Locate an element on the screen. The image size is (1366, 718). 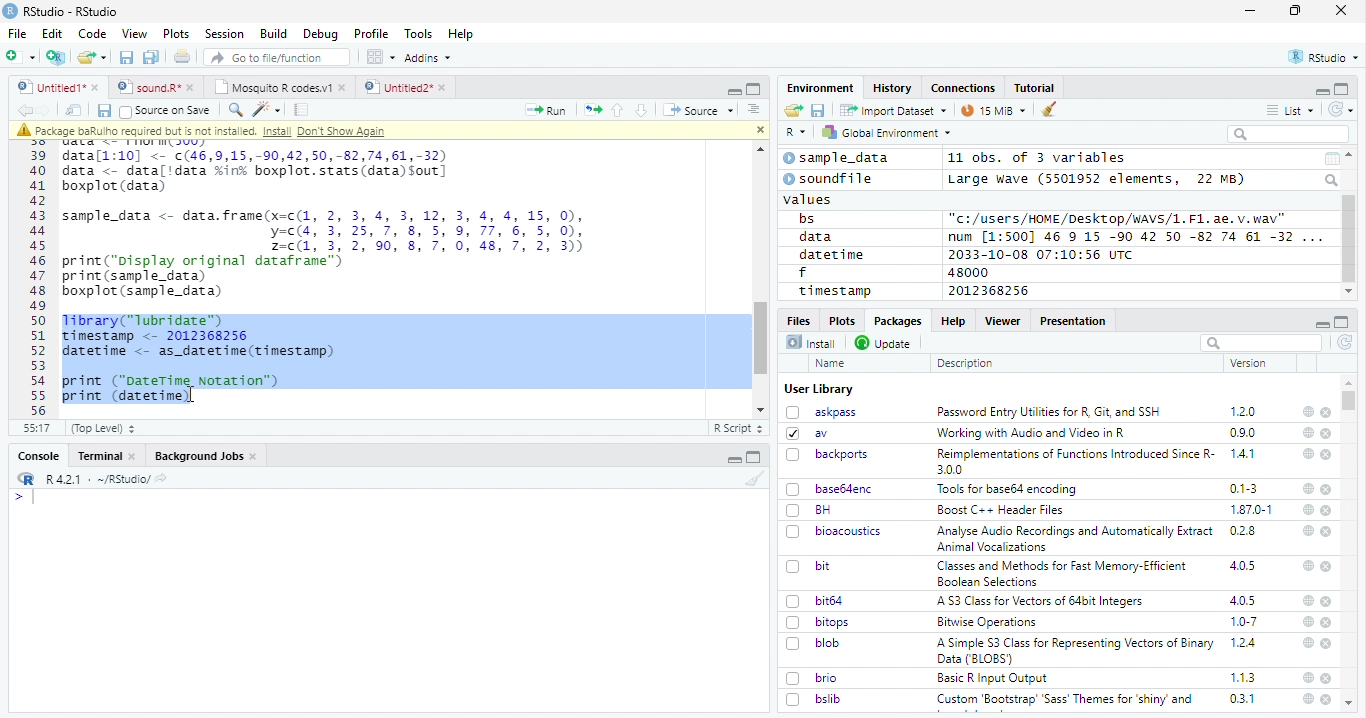
bit is located at coordinates (809, 567).